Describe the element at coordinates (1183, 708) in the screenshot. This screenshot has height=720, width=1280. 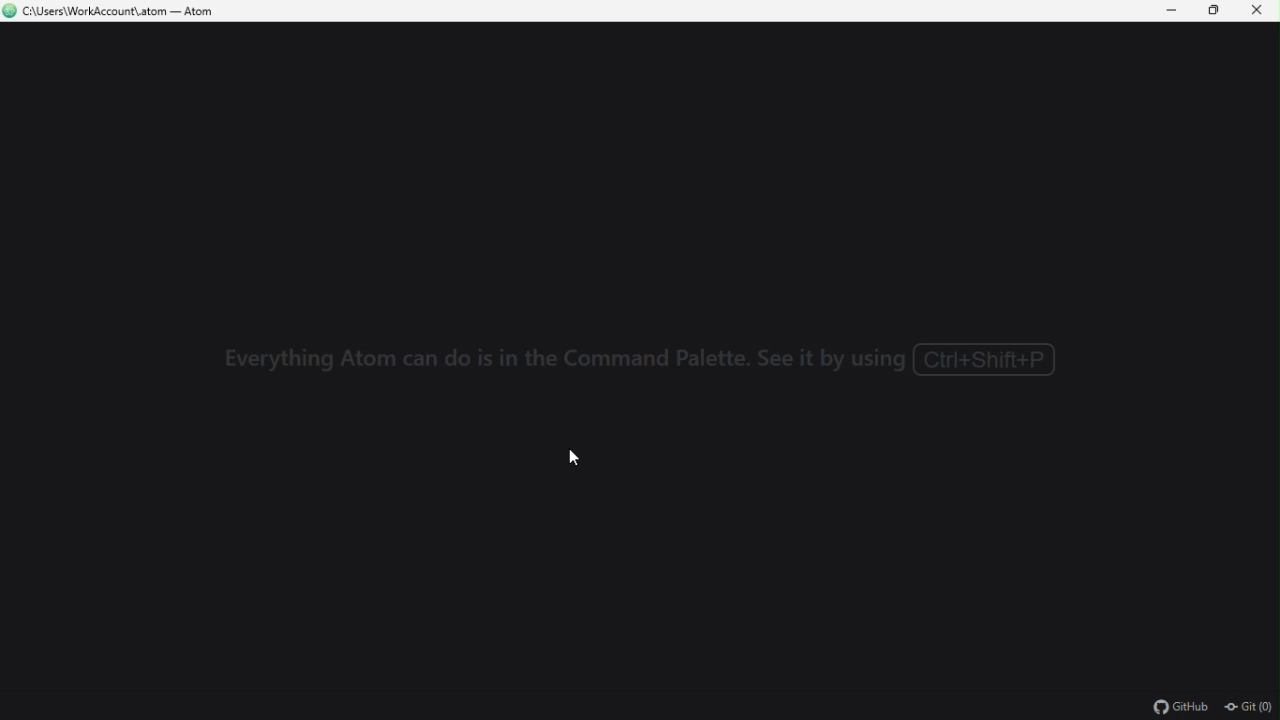
I see `github` at that location.